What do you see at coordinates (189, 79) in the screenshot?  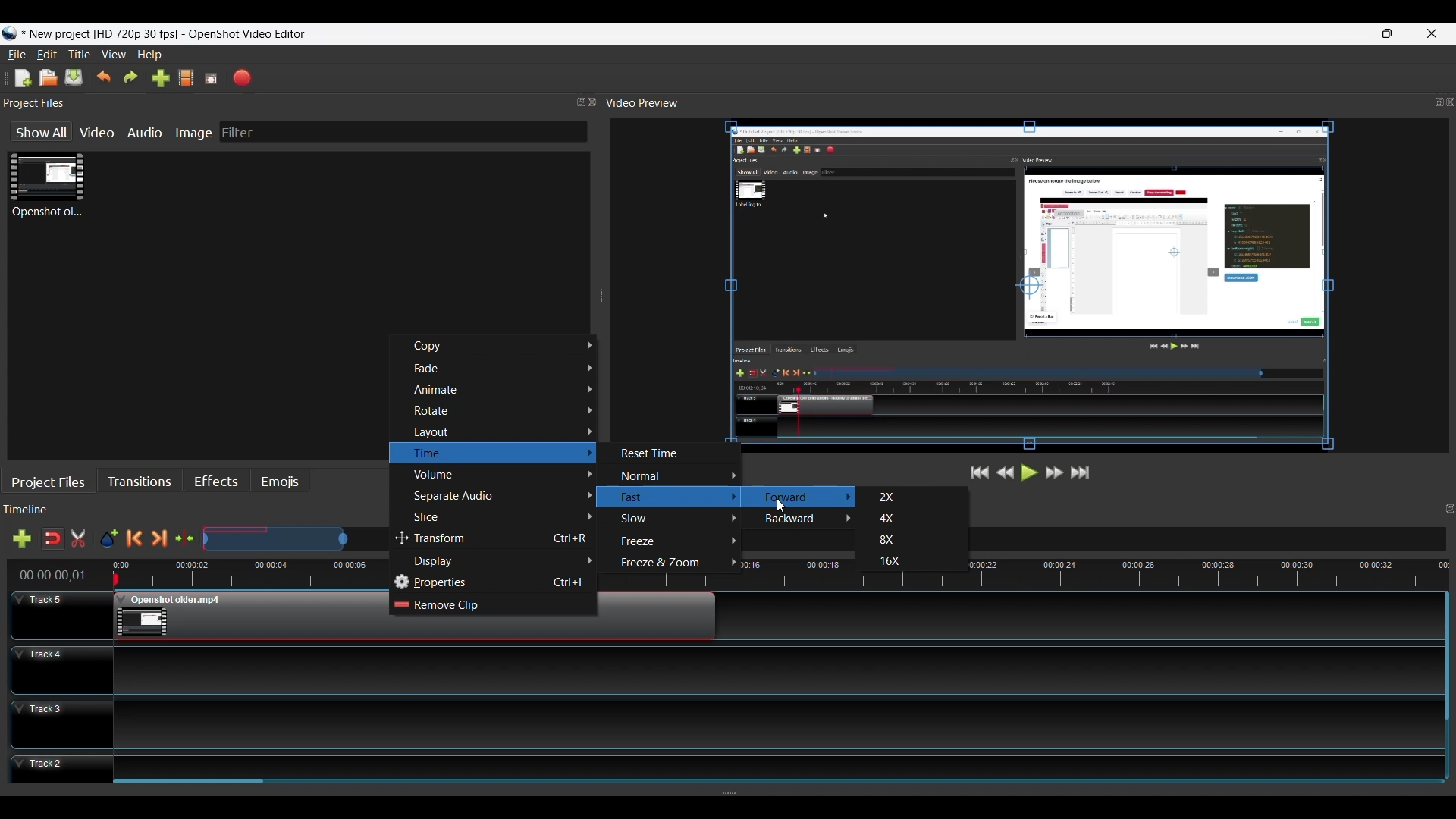 I see `Choose File` at bounding box center [189, 79].